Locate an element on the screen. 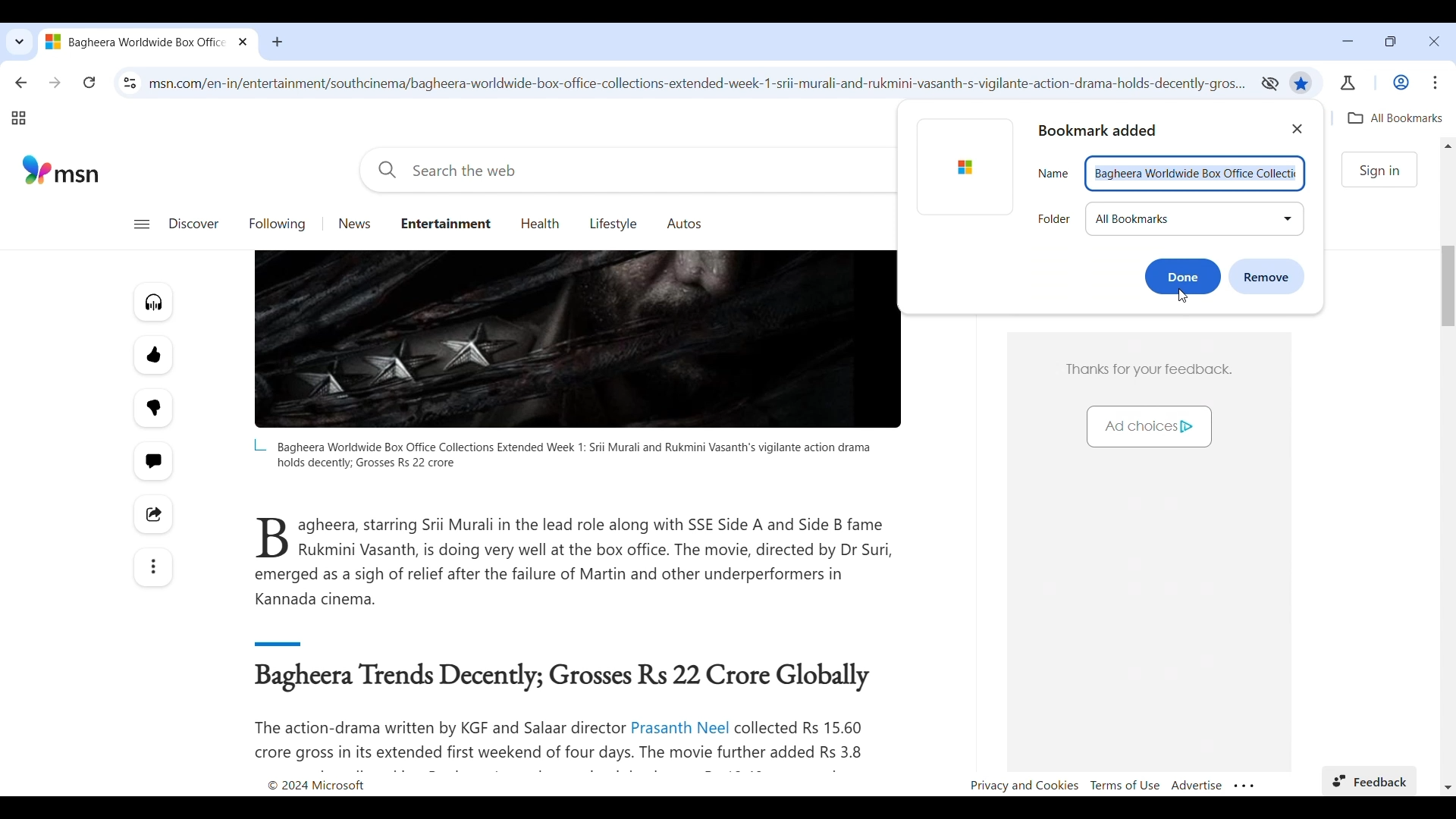 This screenshot has width=1456, height=819. copyright 2024 microsoft is located at coordinates (334, 783).